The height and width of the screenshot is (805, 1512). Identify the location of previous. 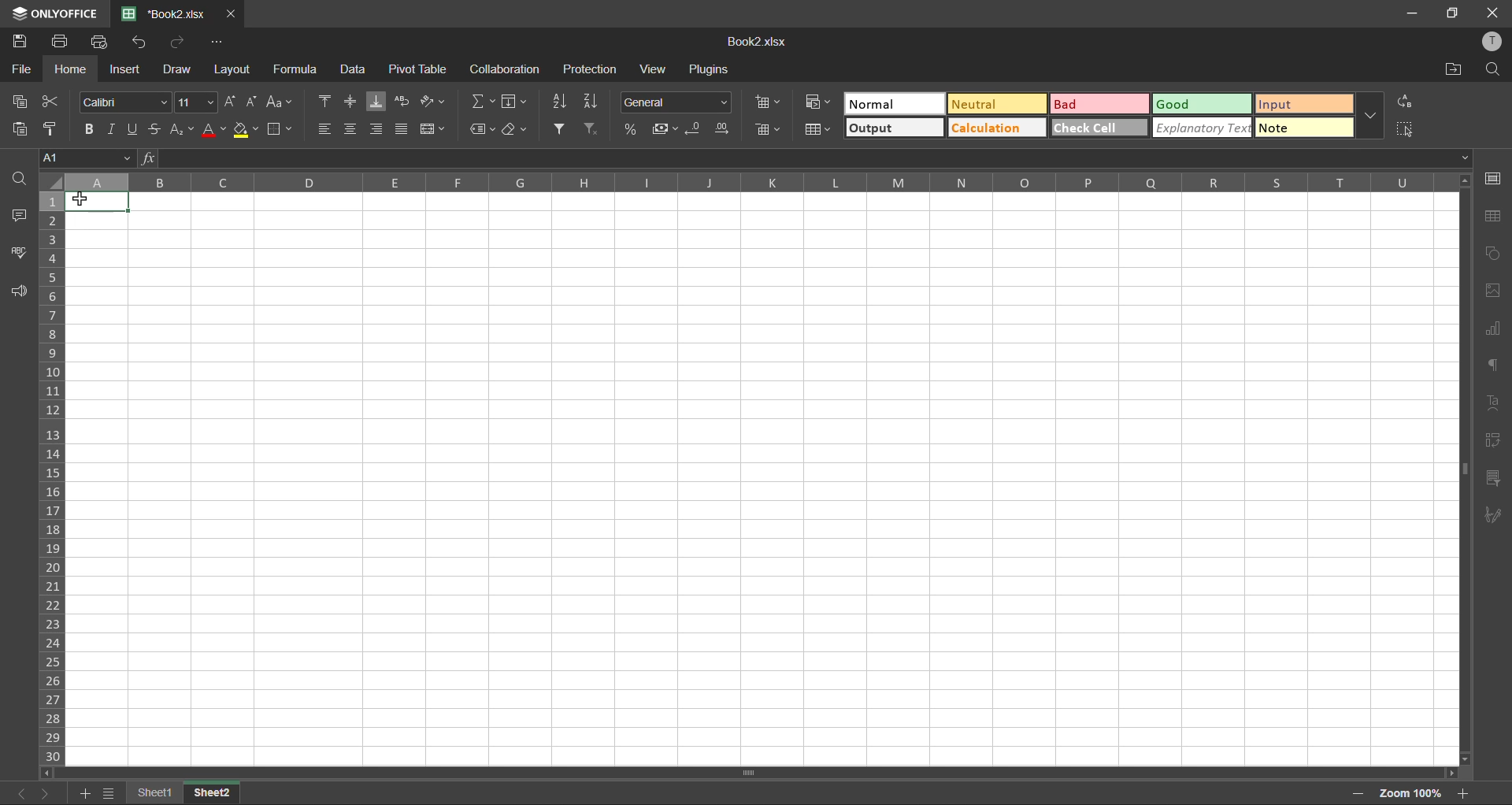
(17, 793).